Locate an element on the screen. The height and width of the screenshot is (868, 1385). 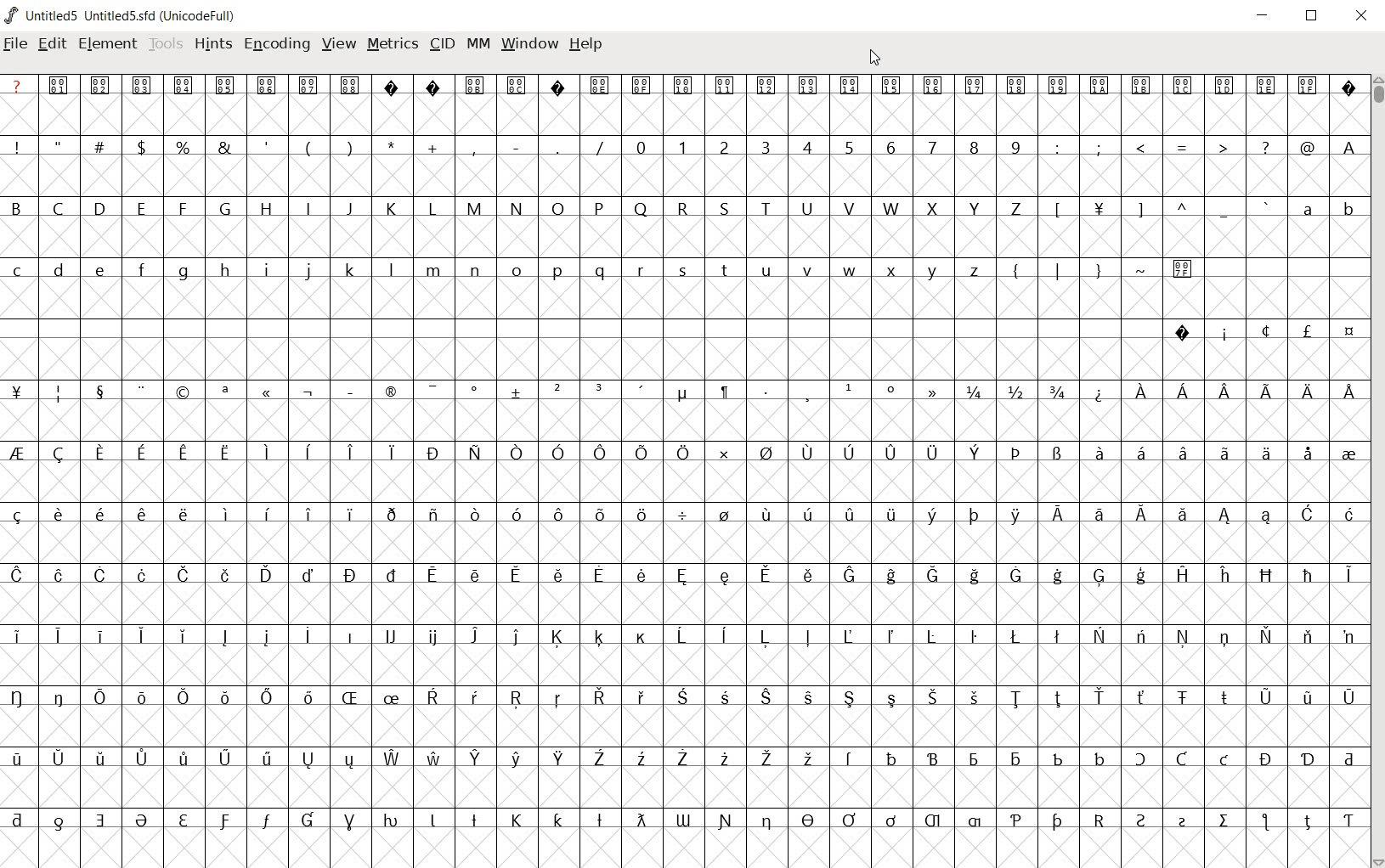
Symbol is located at coordinates (768, 85).